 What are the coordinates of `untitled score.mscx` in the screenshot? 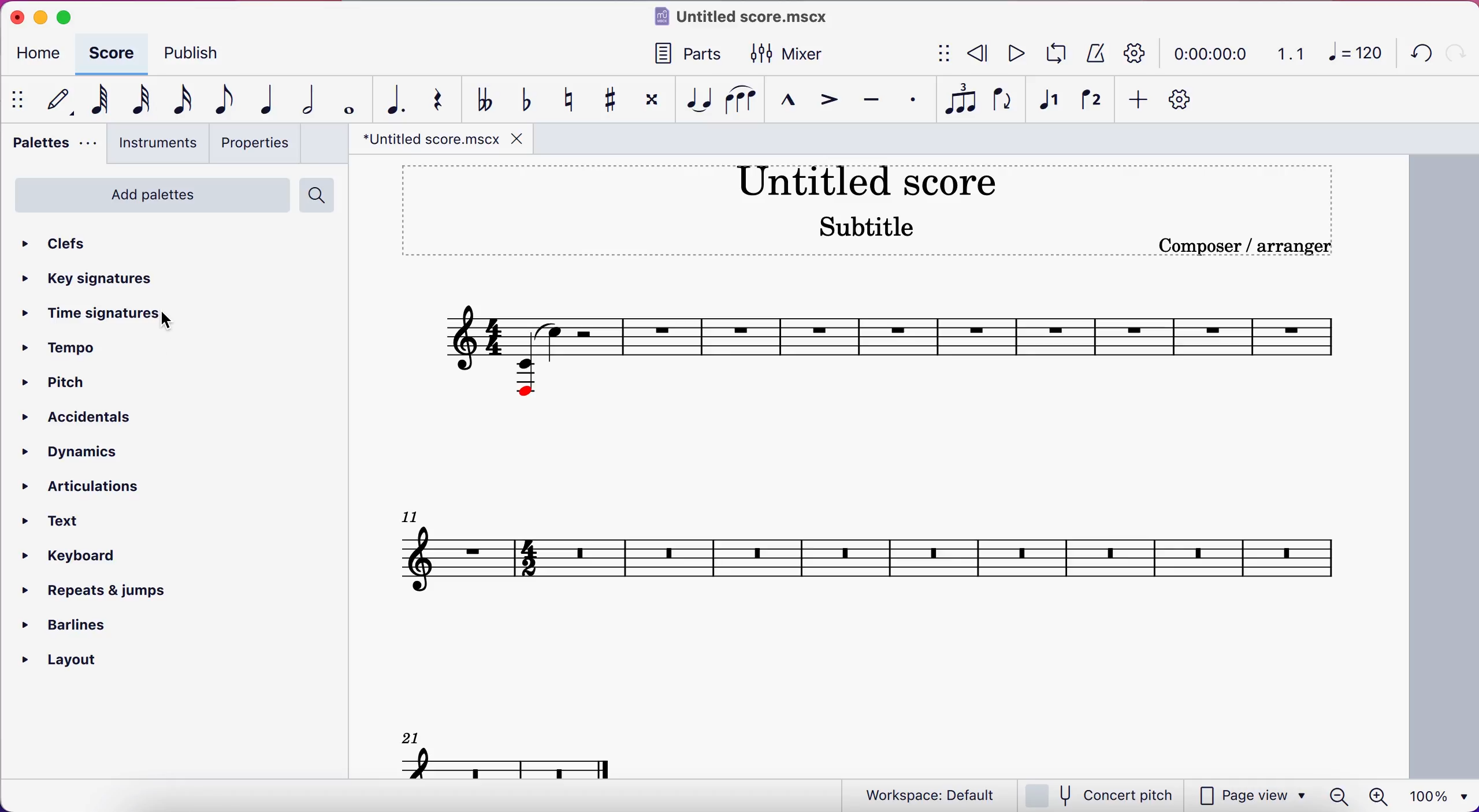 It's located at (443, 140).